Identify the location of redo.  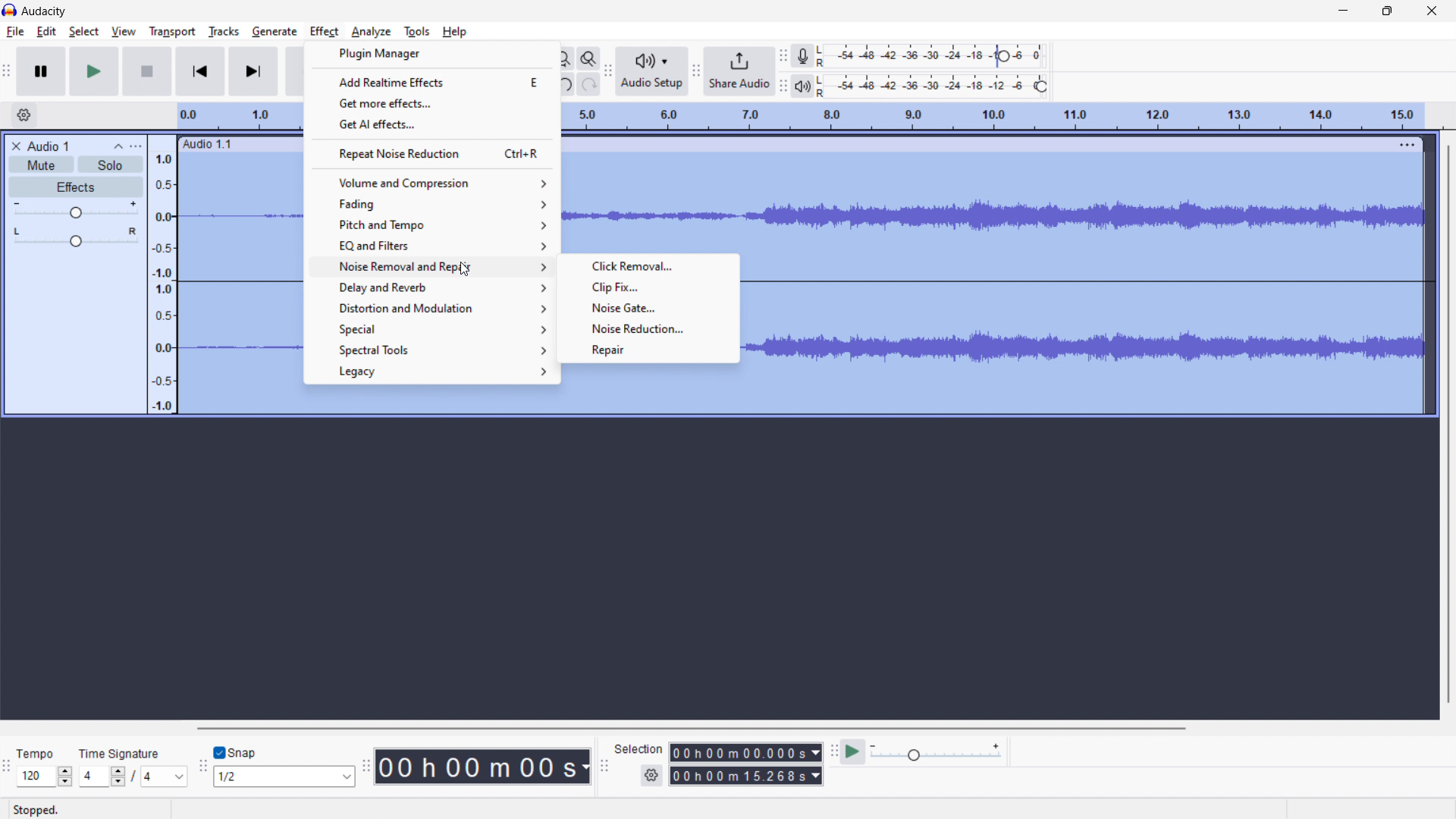
(589, 83).